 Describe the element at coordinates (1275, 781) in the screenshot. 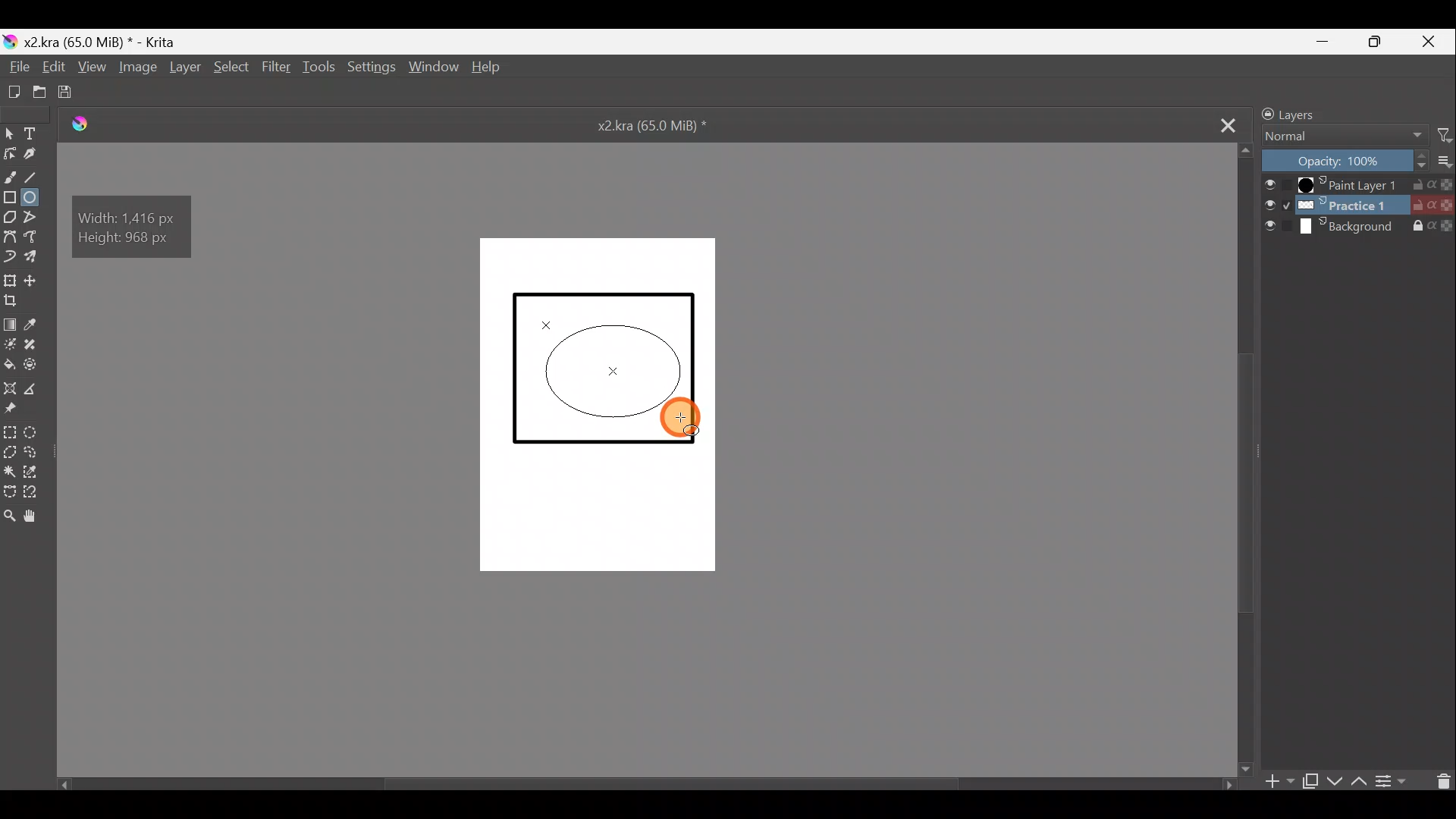

I see `Add layer` at that location.